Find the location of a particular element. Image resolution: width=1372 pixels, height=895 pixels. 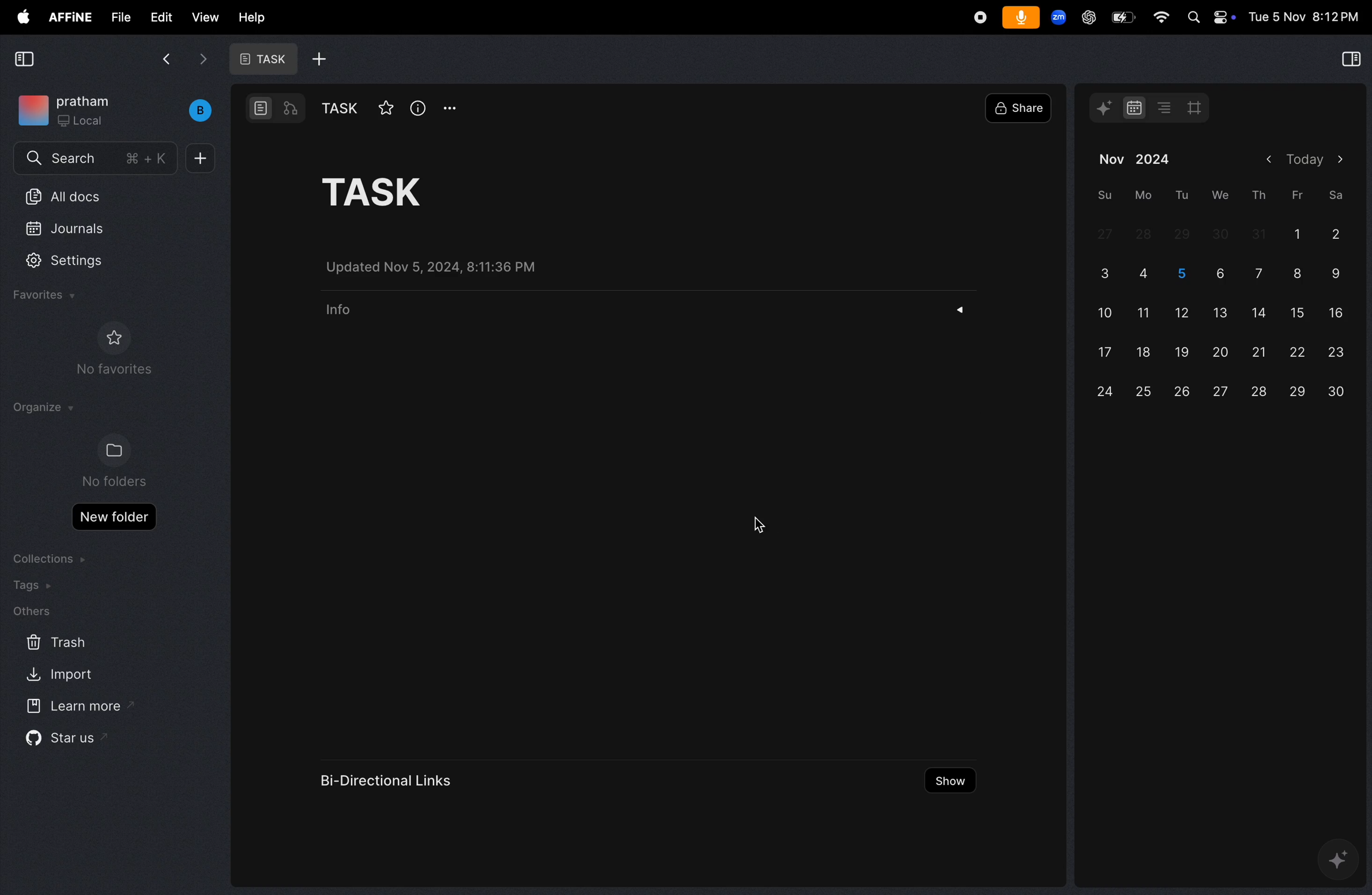

share is located at coordinates (1021, 108).